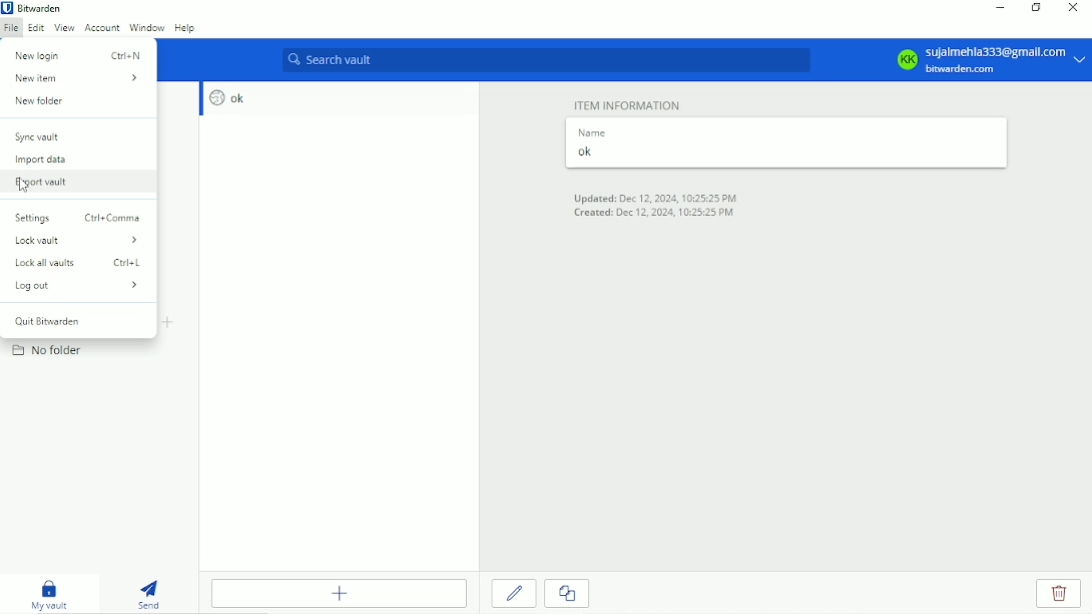 Image resolution: width=1092 pixels, height=614 pixels. Describe the element at coordinates (566, 594) in the screenshot. I see `Clone` at that location.